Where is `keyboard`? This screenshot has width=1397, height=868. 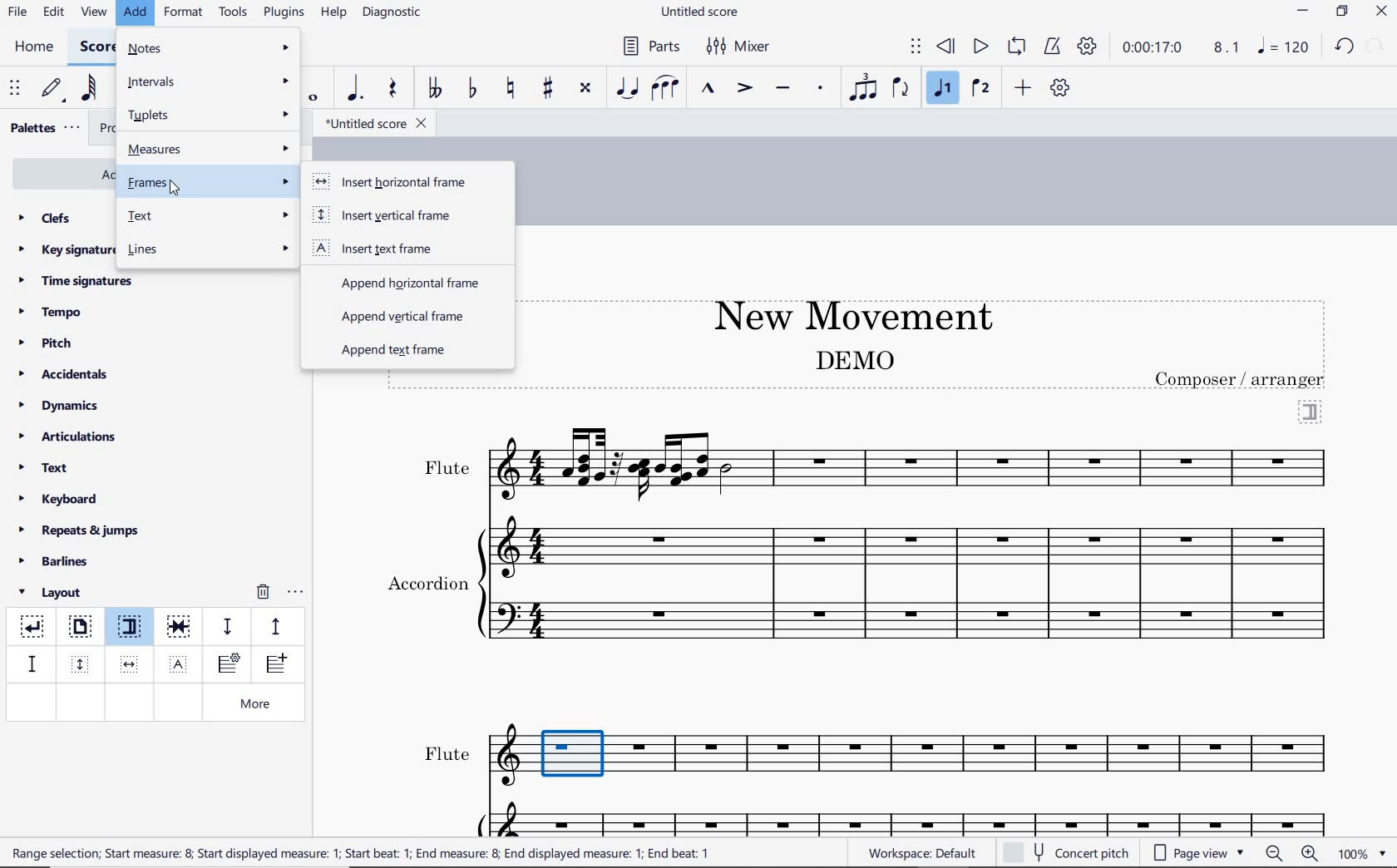
keyboard is located at coordinates (59, 499).